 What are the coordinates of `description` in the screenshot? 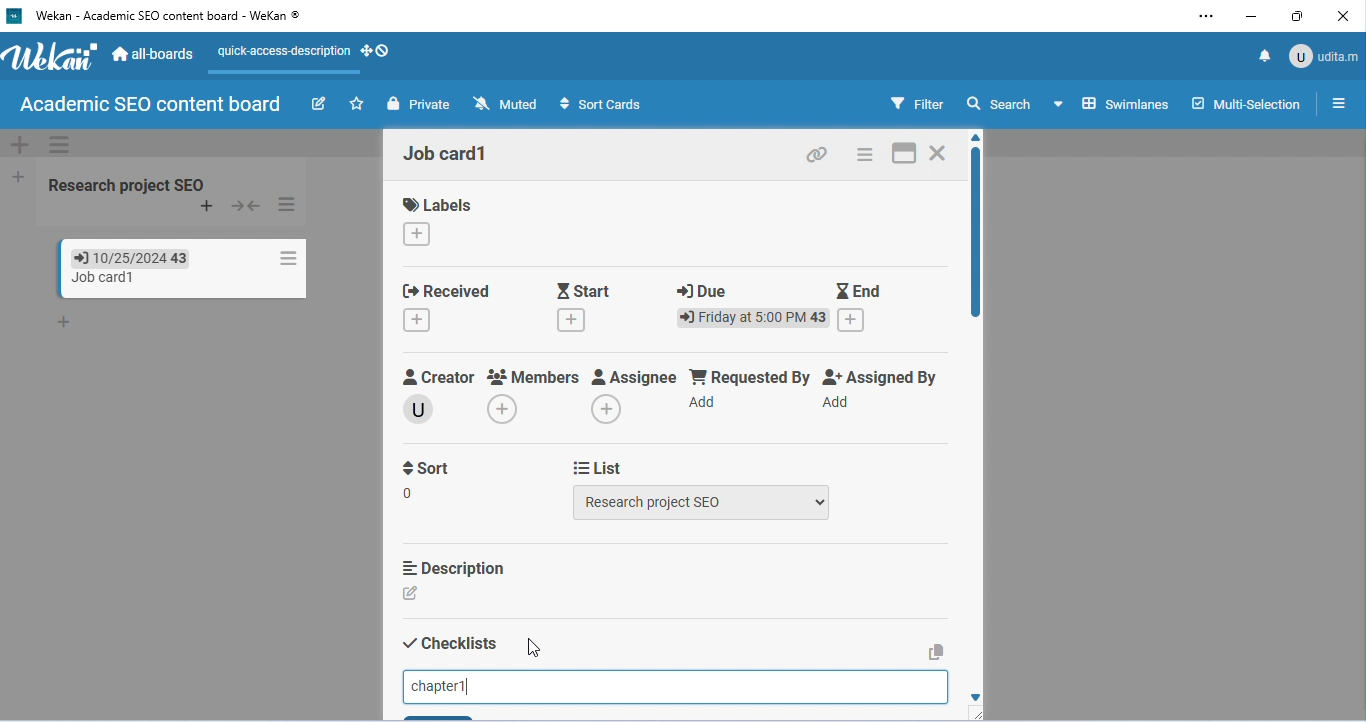 It's located at (452, 568).